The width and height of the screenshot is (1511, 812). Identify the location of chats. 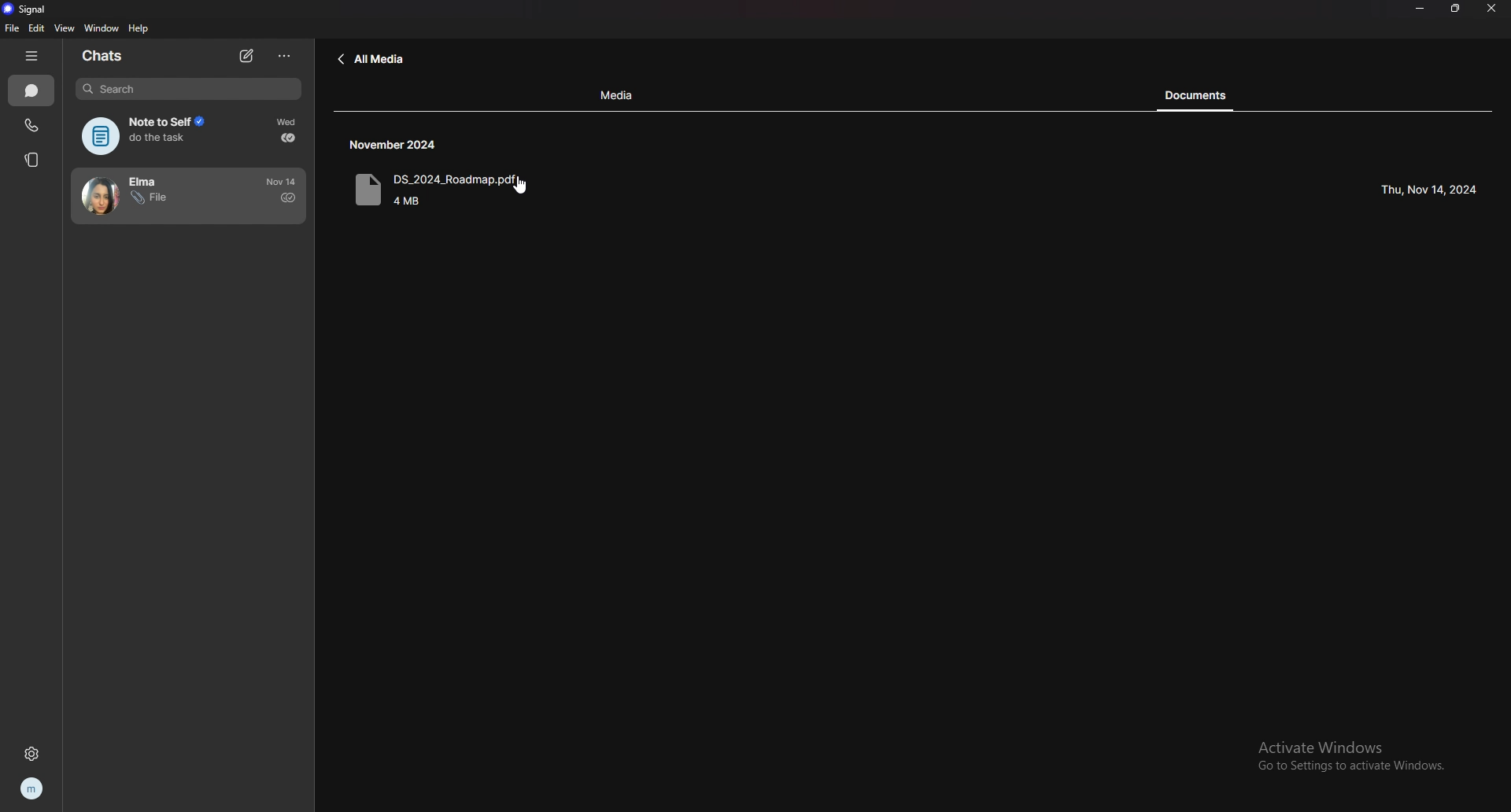
(32, 90).